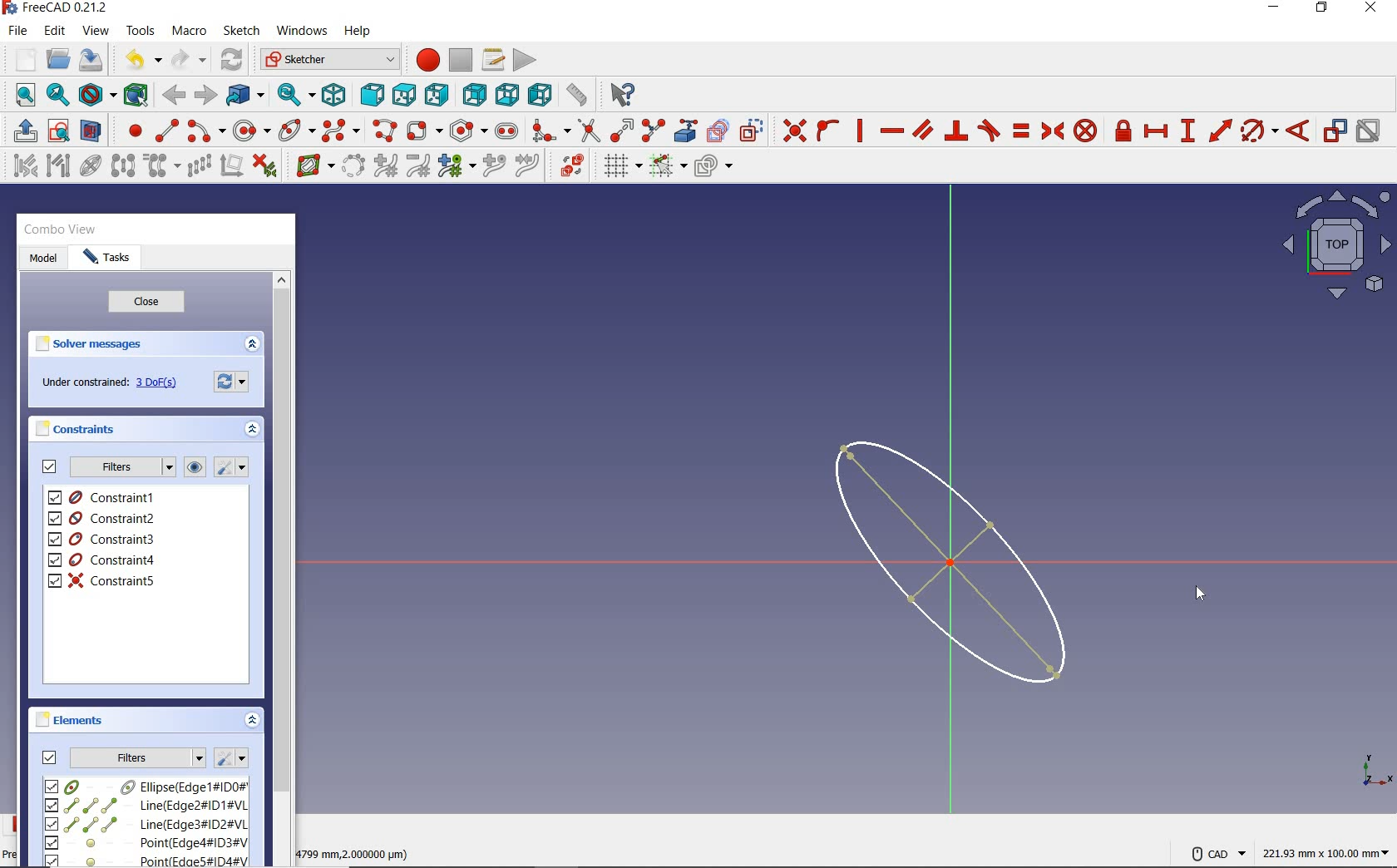 The image size is (1397, 868). I want to click on toggle construction geometry, so click(752, 130).